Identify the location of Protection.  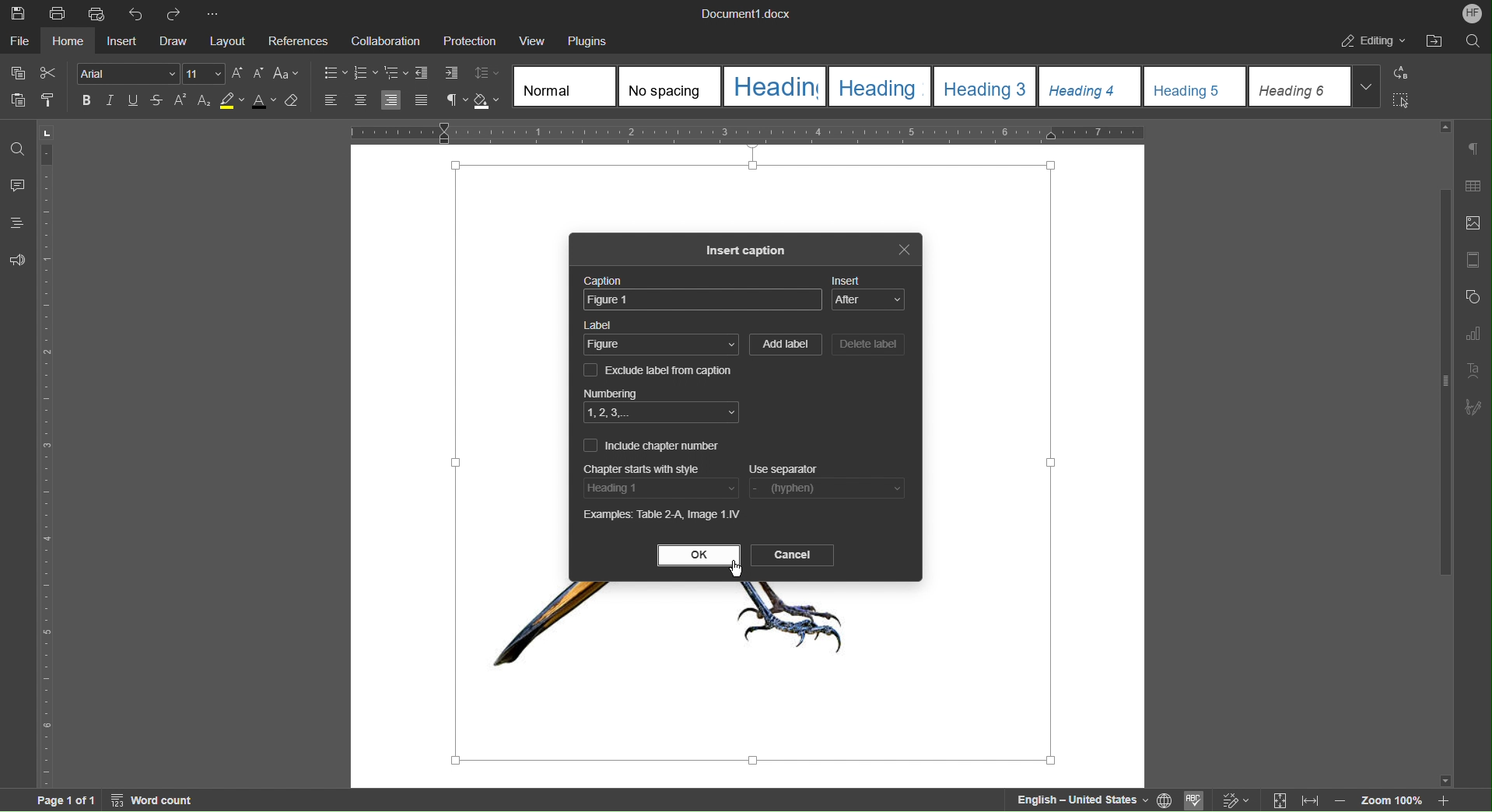
(469, 42).